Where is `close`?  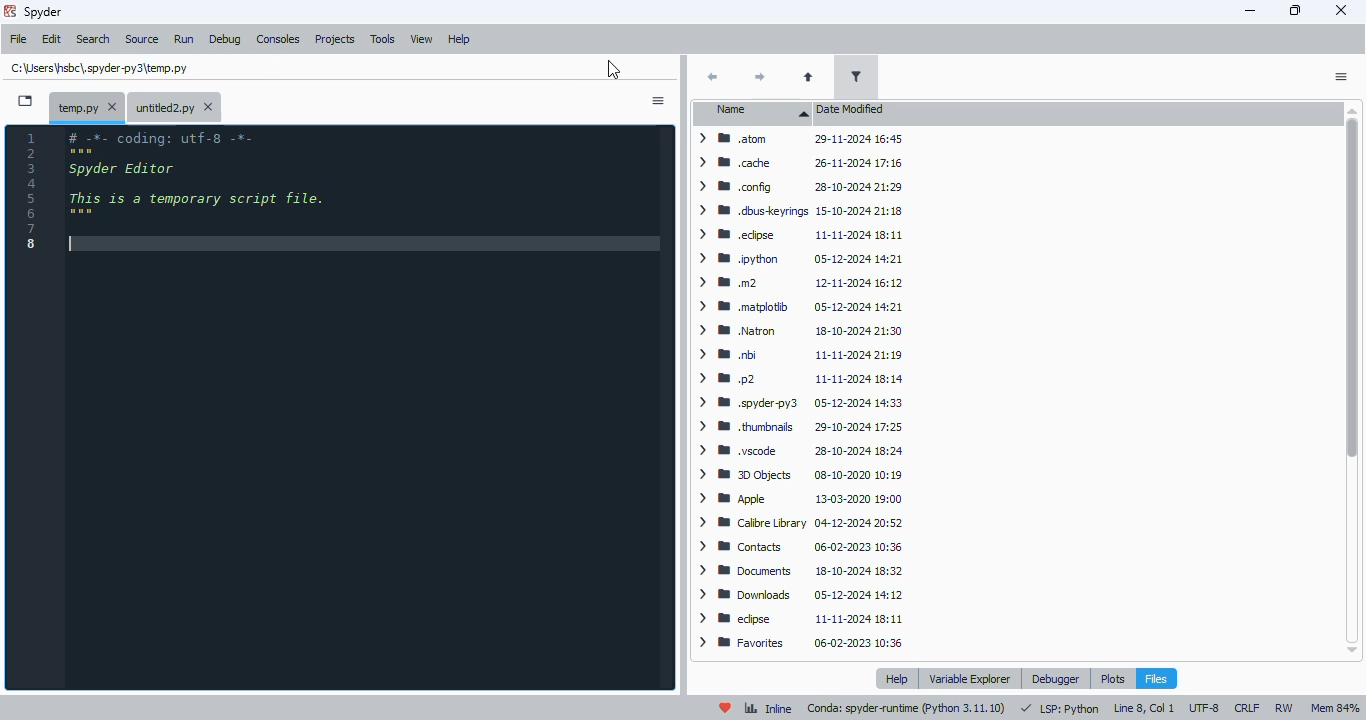 close is located at coordinates (210, 108).